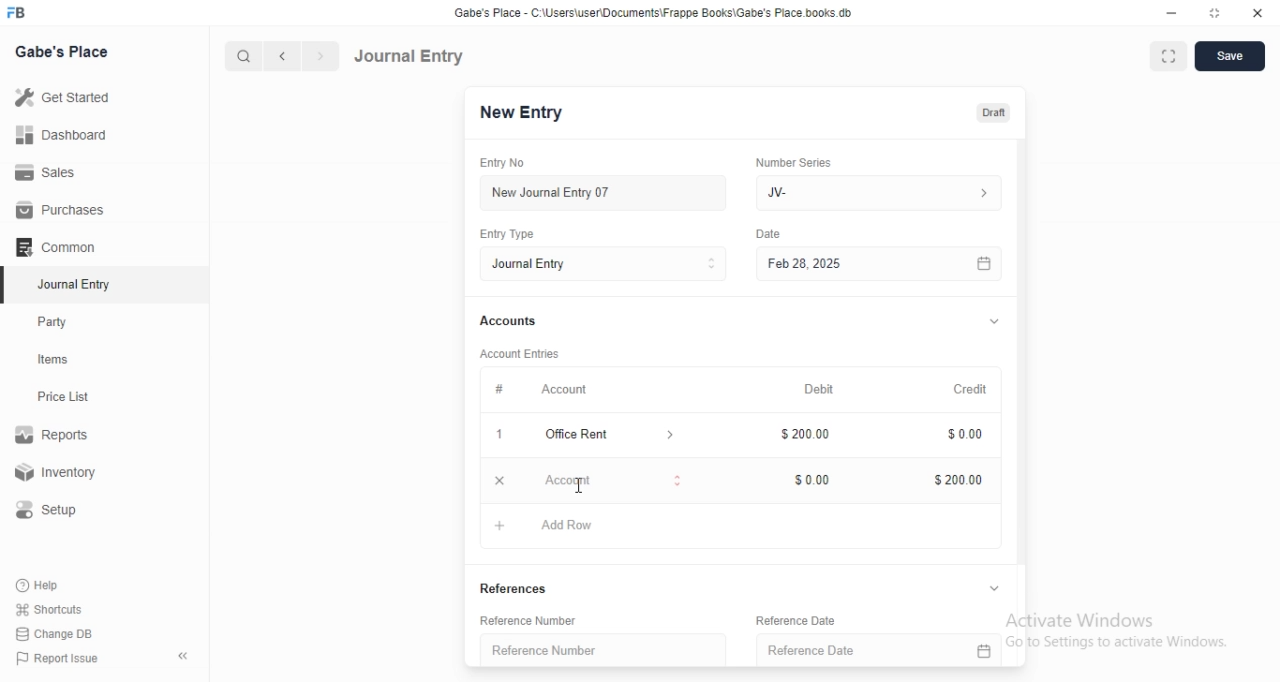 The image size is (1280, 682). I want to click on Comman, so click(49, 247).